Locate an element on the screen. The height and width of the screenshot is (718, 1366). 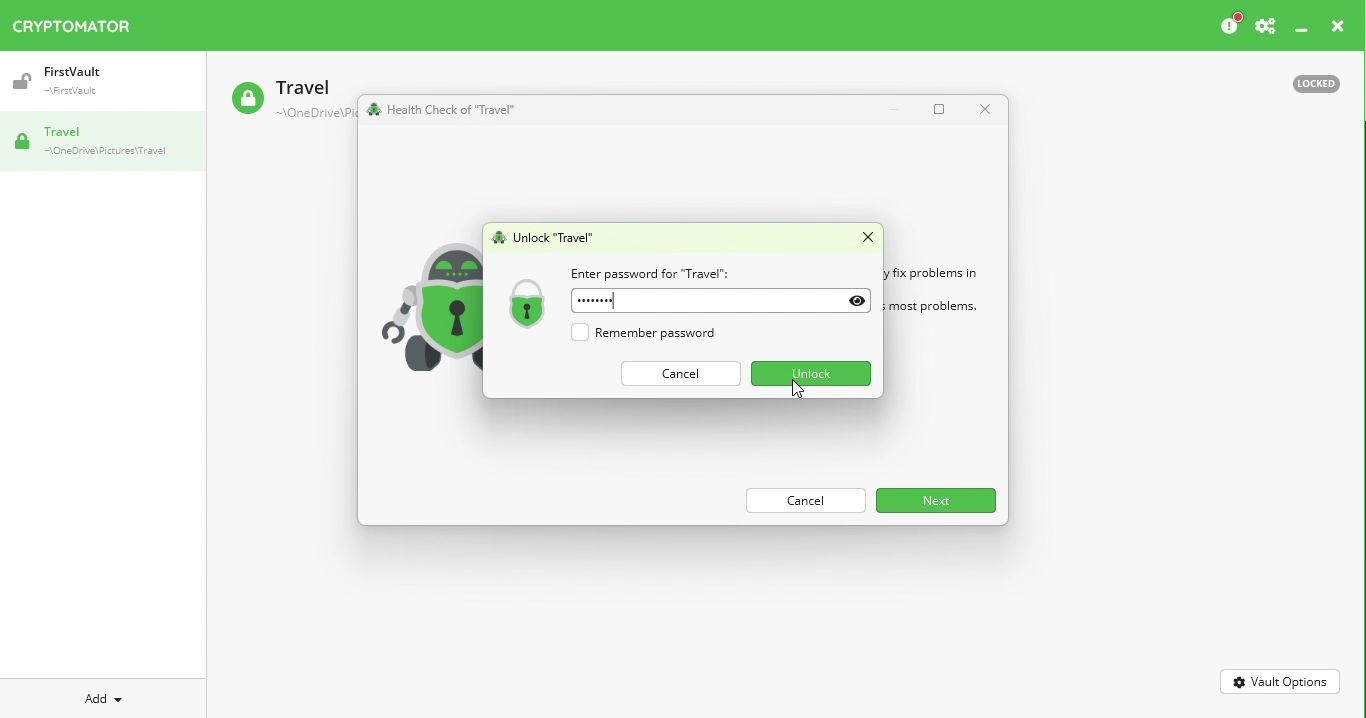
Next is located at coordinates (938, 499).